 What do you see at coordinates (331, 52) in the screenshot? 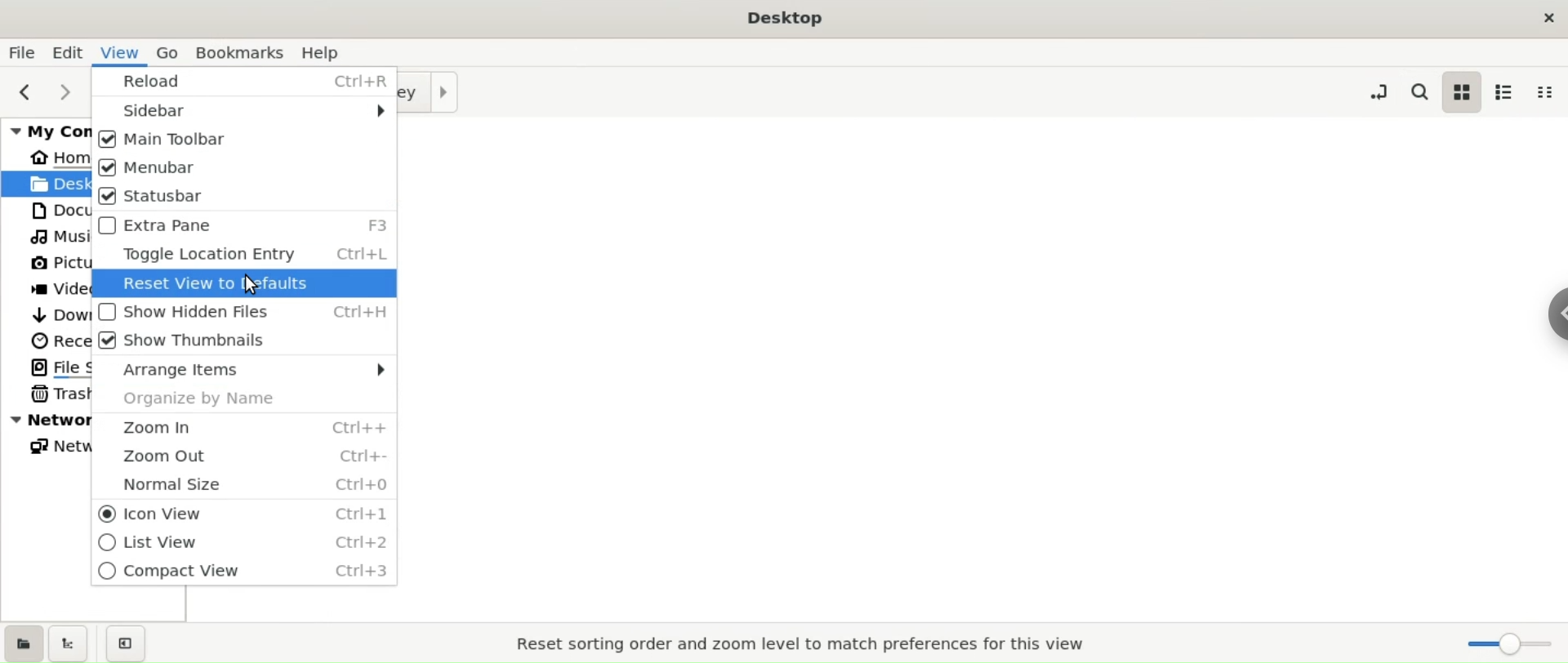
I see `help` at bounding box center [331, 52].